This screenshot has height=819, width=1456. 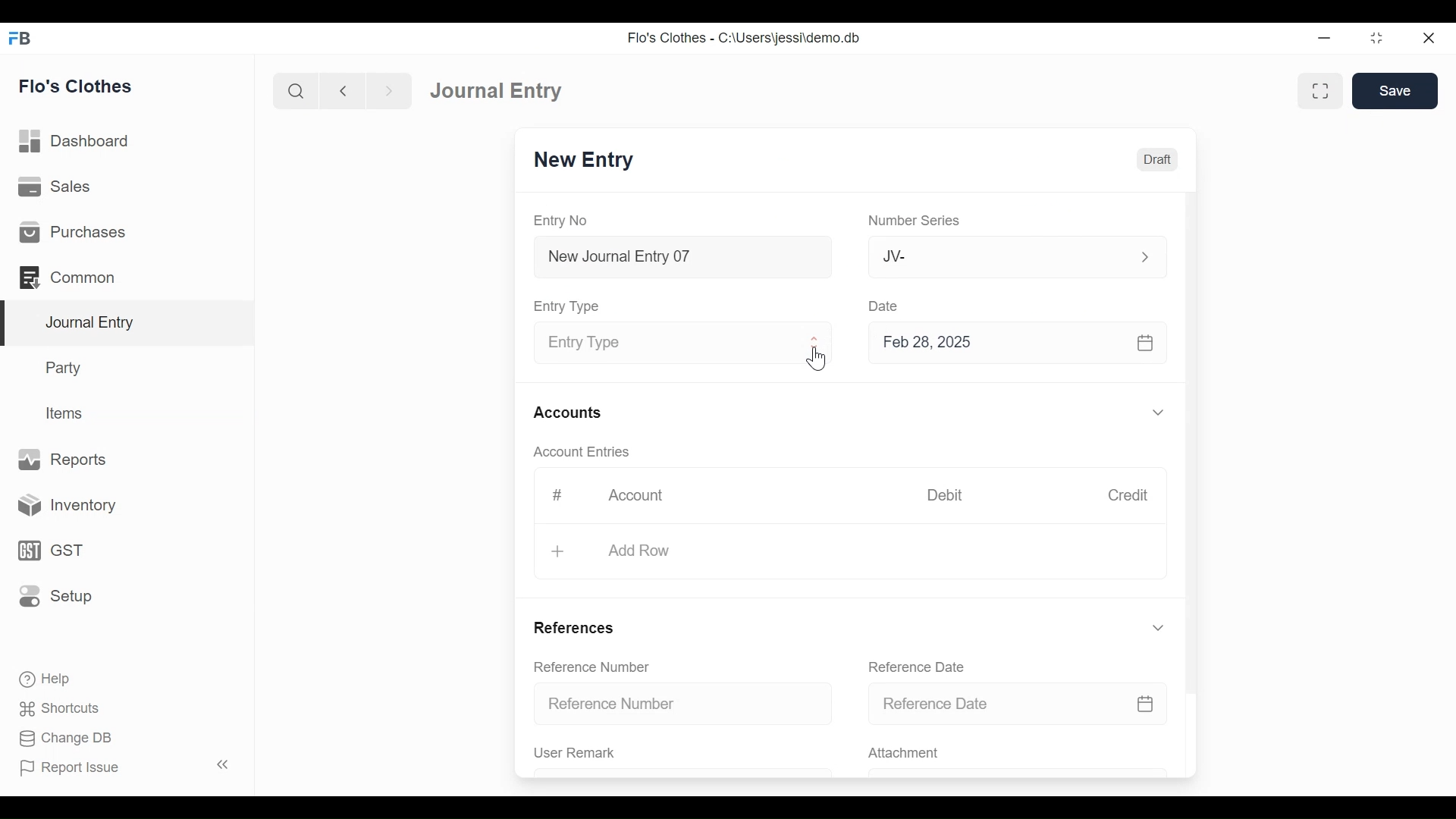 I want to click on Toggle form and full width, so click(x=1320, y=92).